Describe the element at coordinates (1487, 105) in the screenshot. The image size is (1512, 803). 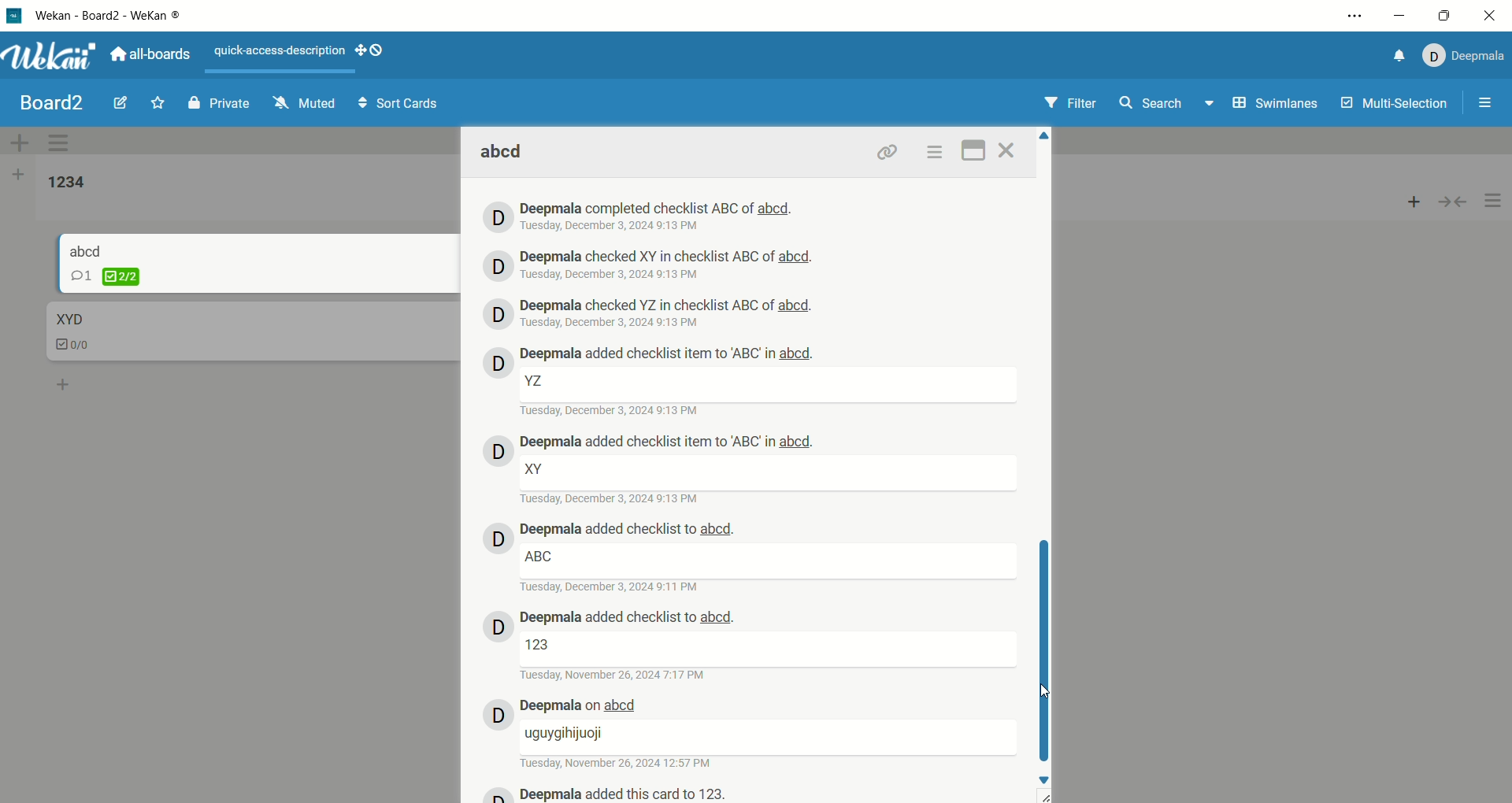
I see `options` at that location.